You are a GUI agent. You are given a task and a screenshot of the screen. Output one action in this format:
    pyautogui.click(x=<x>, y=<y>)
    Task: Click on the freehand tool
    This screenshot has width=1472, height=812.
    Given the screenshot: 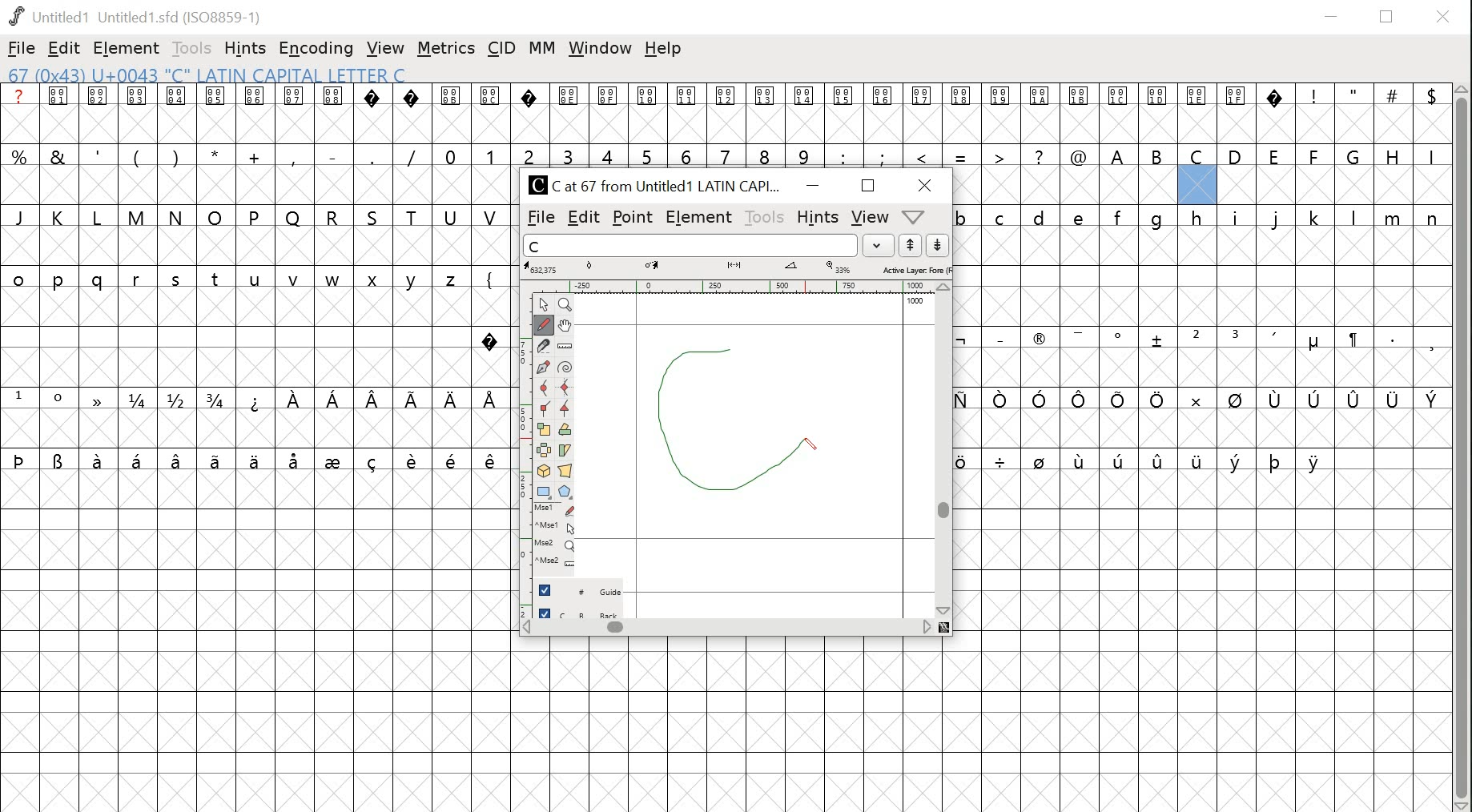 What is the action you would take?
    pyautogui.click(x=547, y=324)
    